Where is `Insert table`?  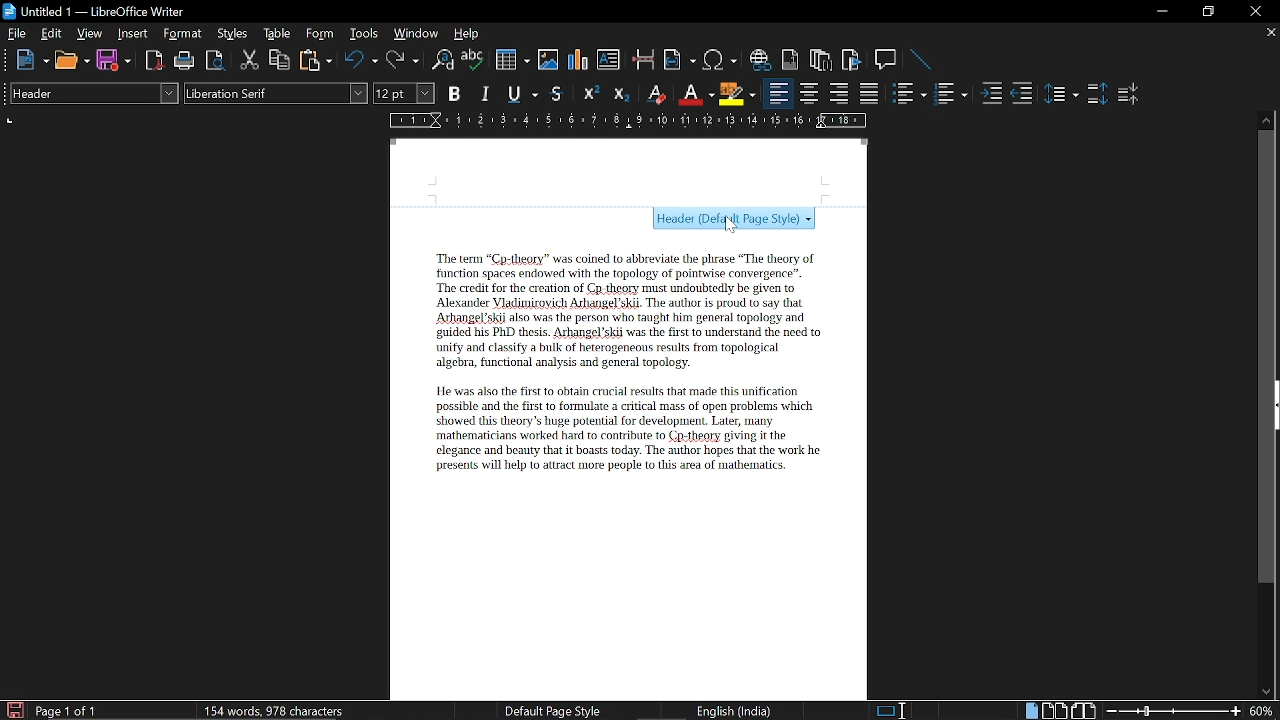 Insert table is located at coordinates (511, 61).